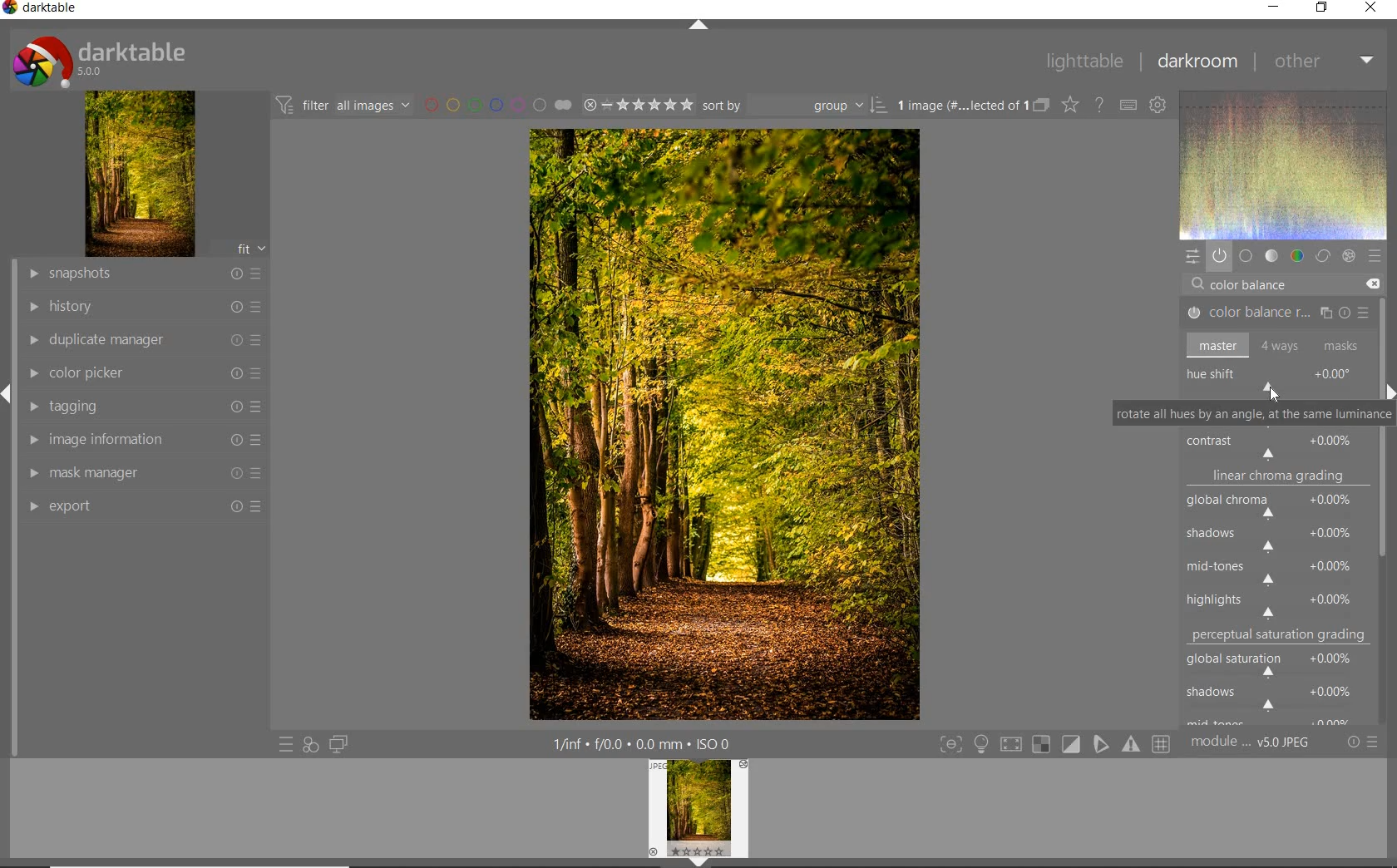 This screenshot has height=868, width=1397. Describe the element at coordinates (1275, 6) in the screenshot. I see `minimize` at that location.